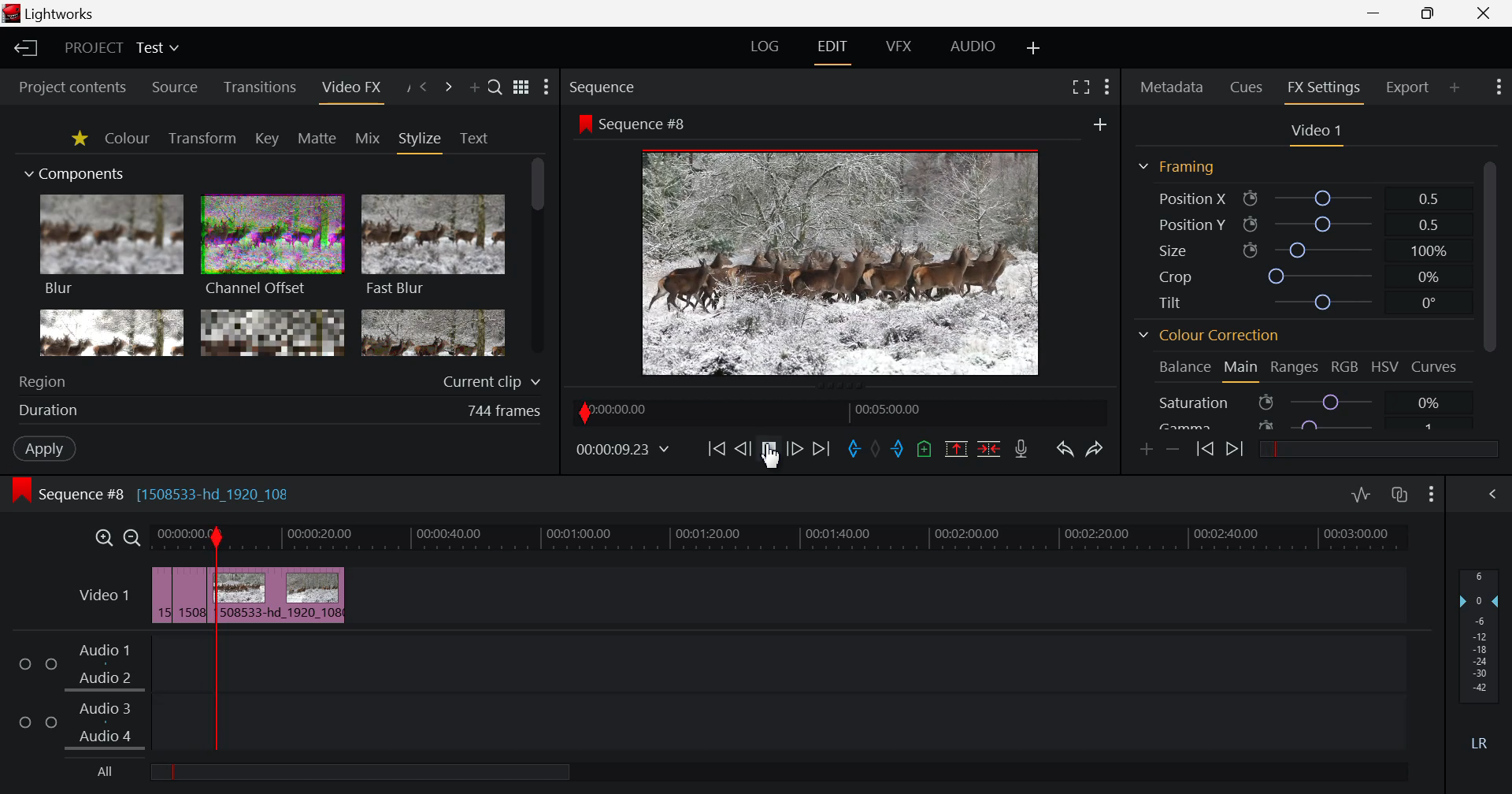  What do you see at coordinates (103, 598) in the screenshot?
I see `Video Layer` at bounding box center [103, 598].